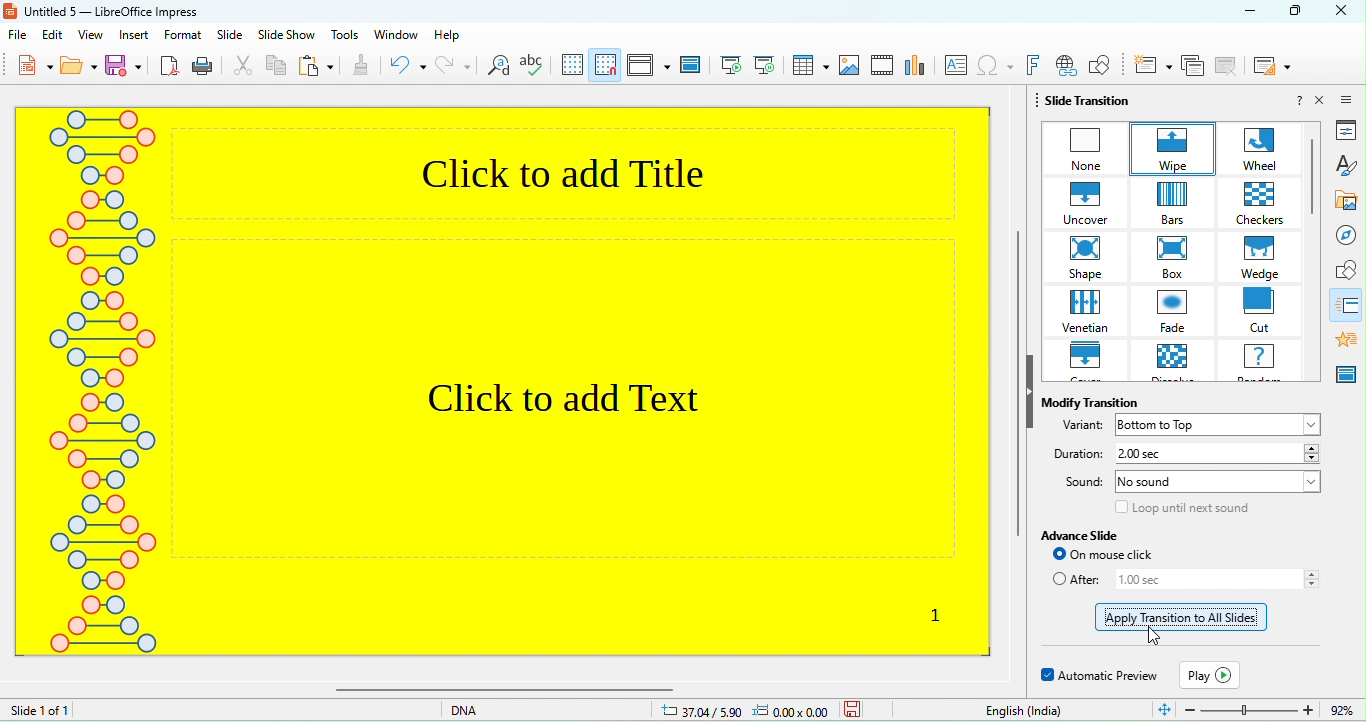 The image size is (1366, 722). I want to click on shape, so click(1342, 268).